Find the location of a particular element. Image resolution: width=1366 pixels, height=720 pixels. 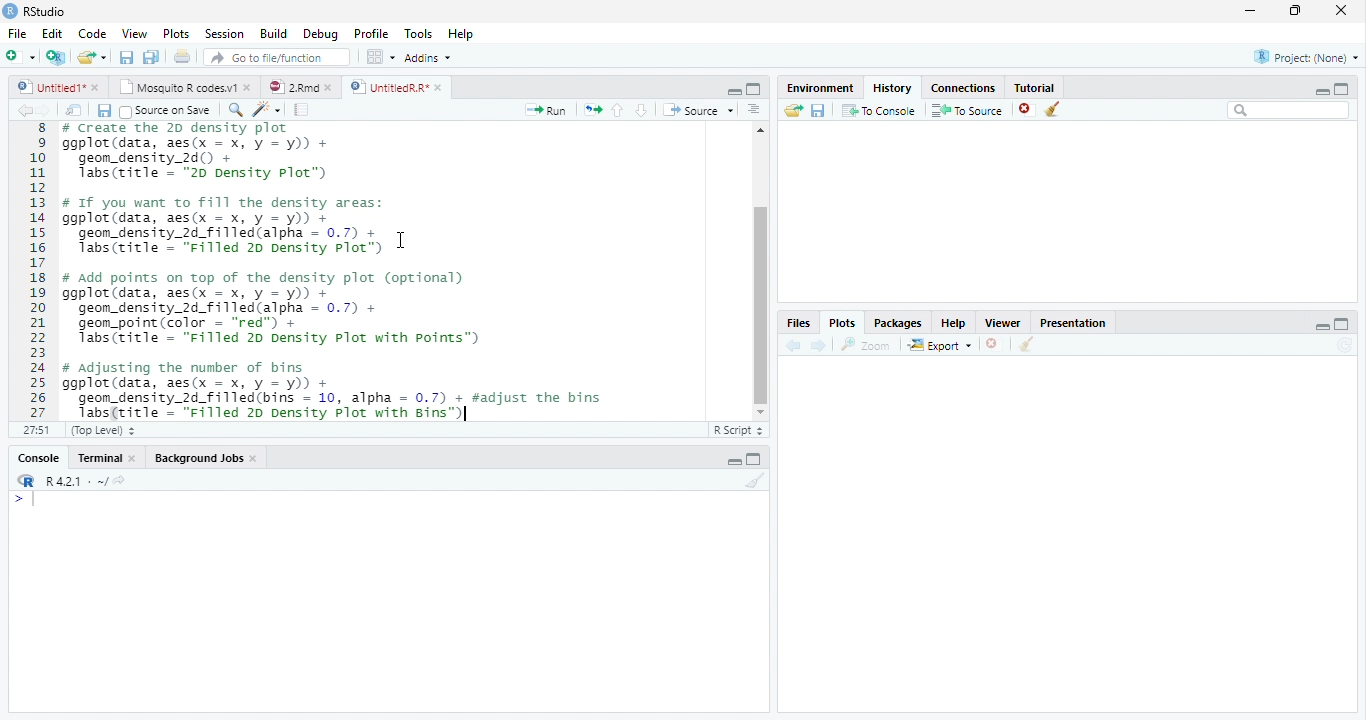

export is located at coordinates (939, 346).